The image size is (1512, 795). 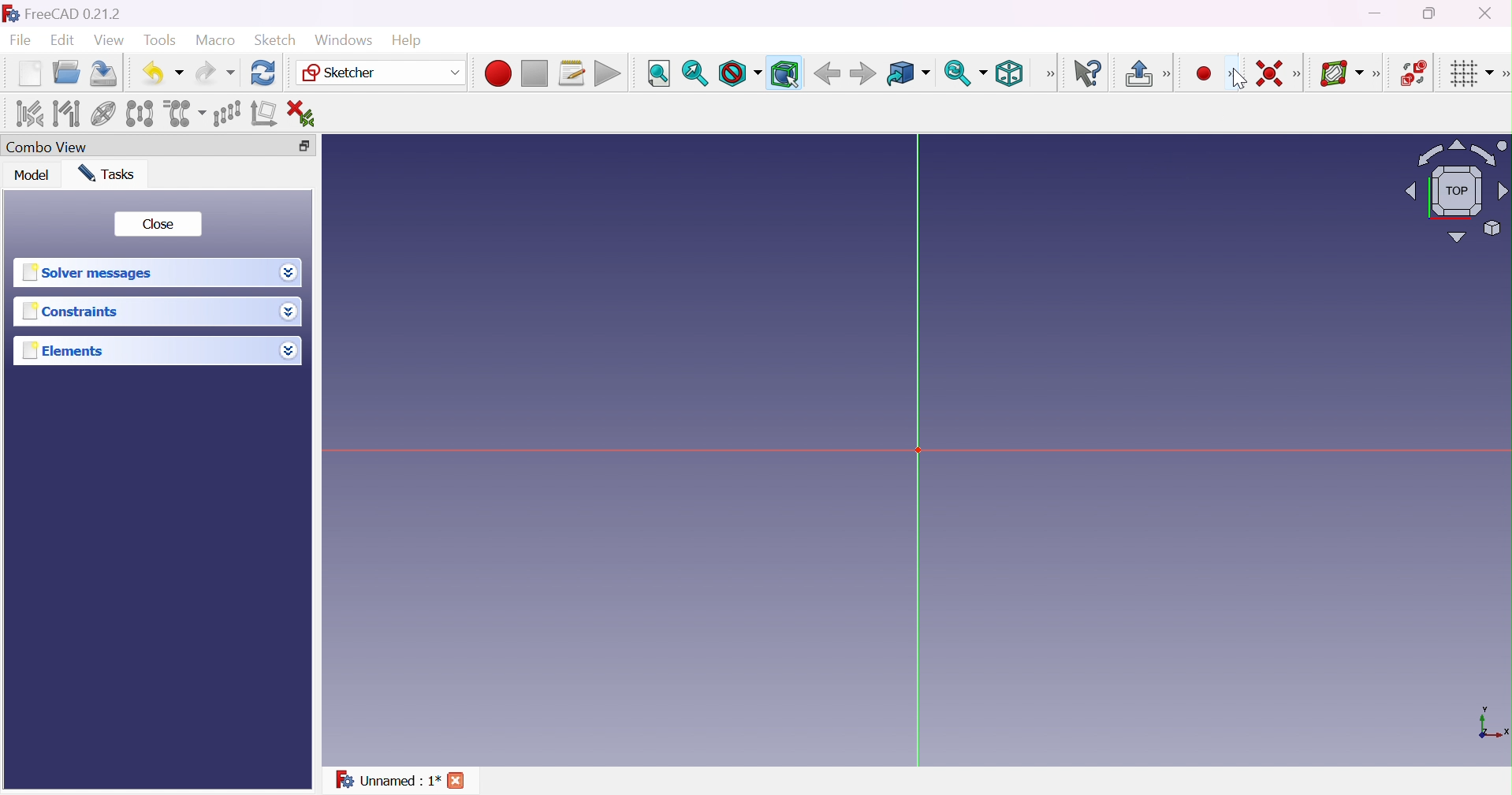 I want to click on Toggle grid, so click(x=1470, y=75).